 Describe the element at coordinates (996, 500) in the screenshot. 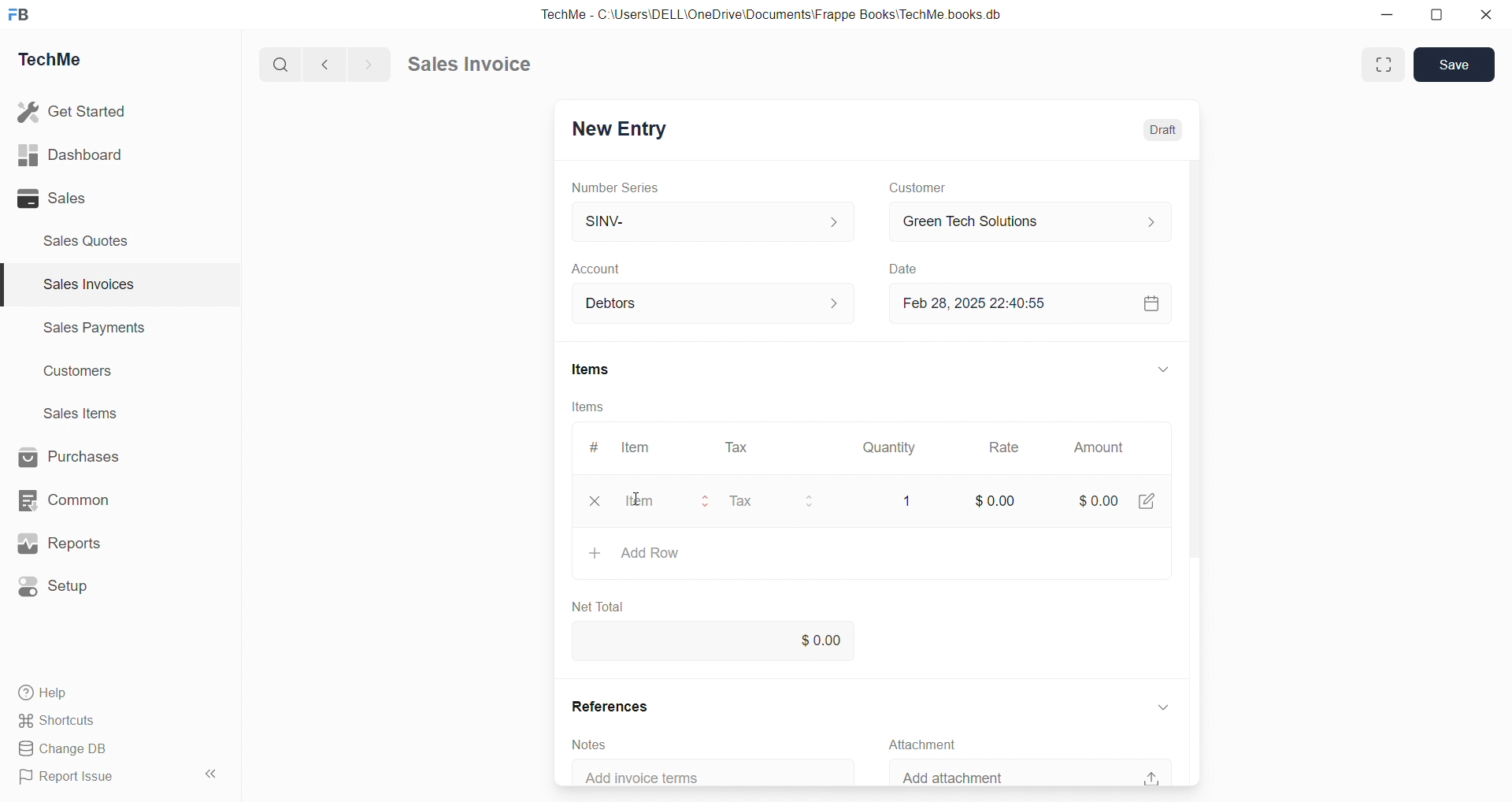

I see `$0.00` at that location.